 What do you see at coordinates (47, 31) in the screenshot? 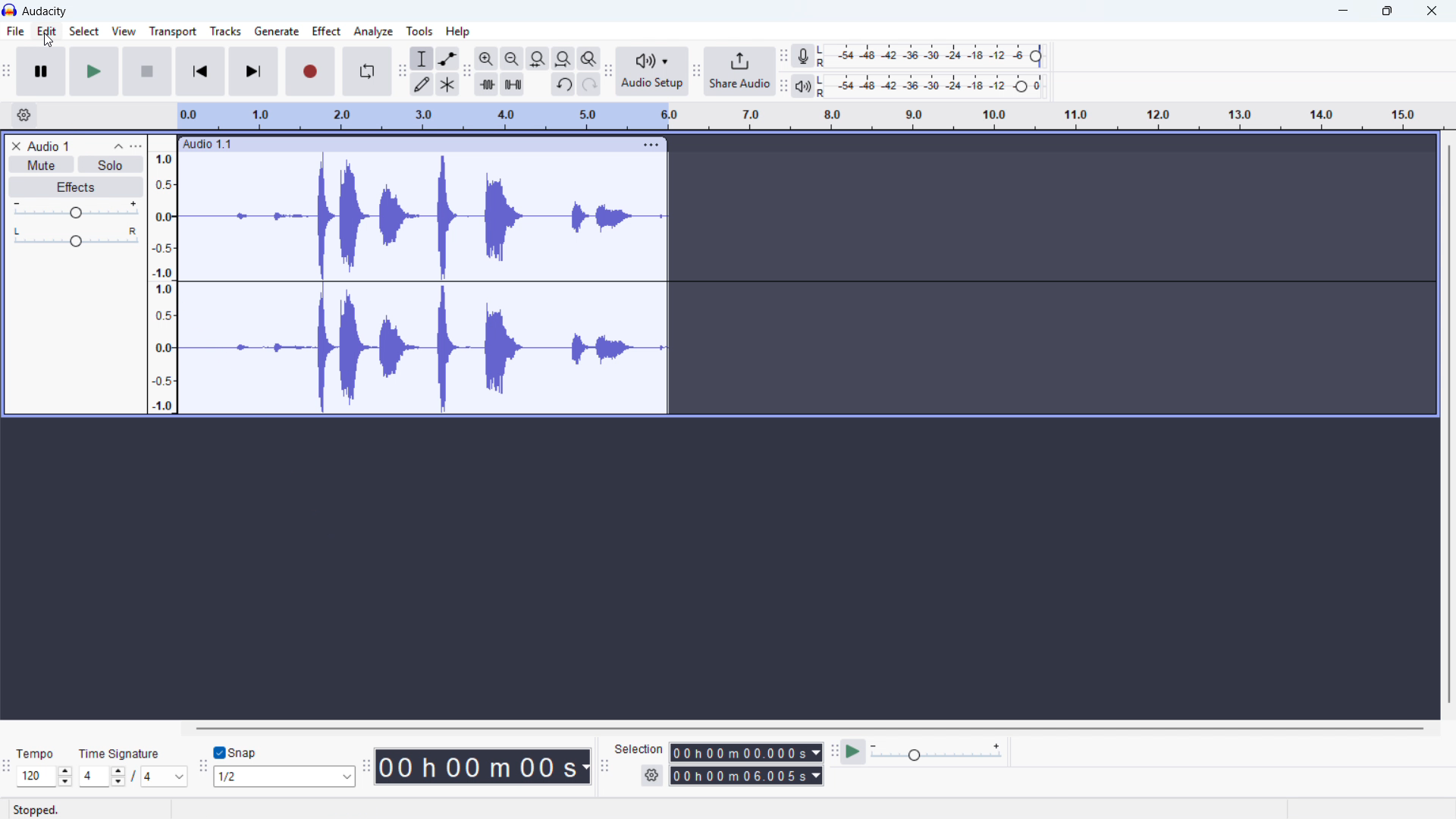
I see `edit` at bounding box center [47, 31].